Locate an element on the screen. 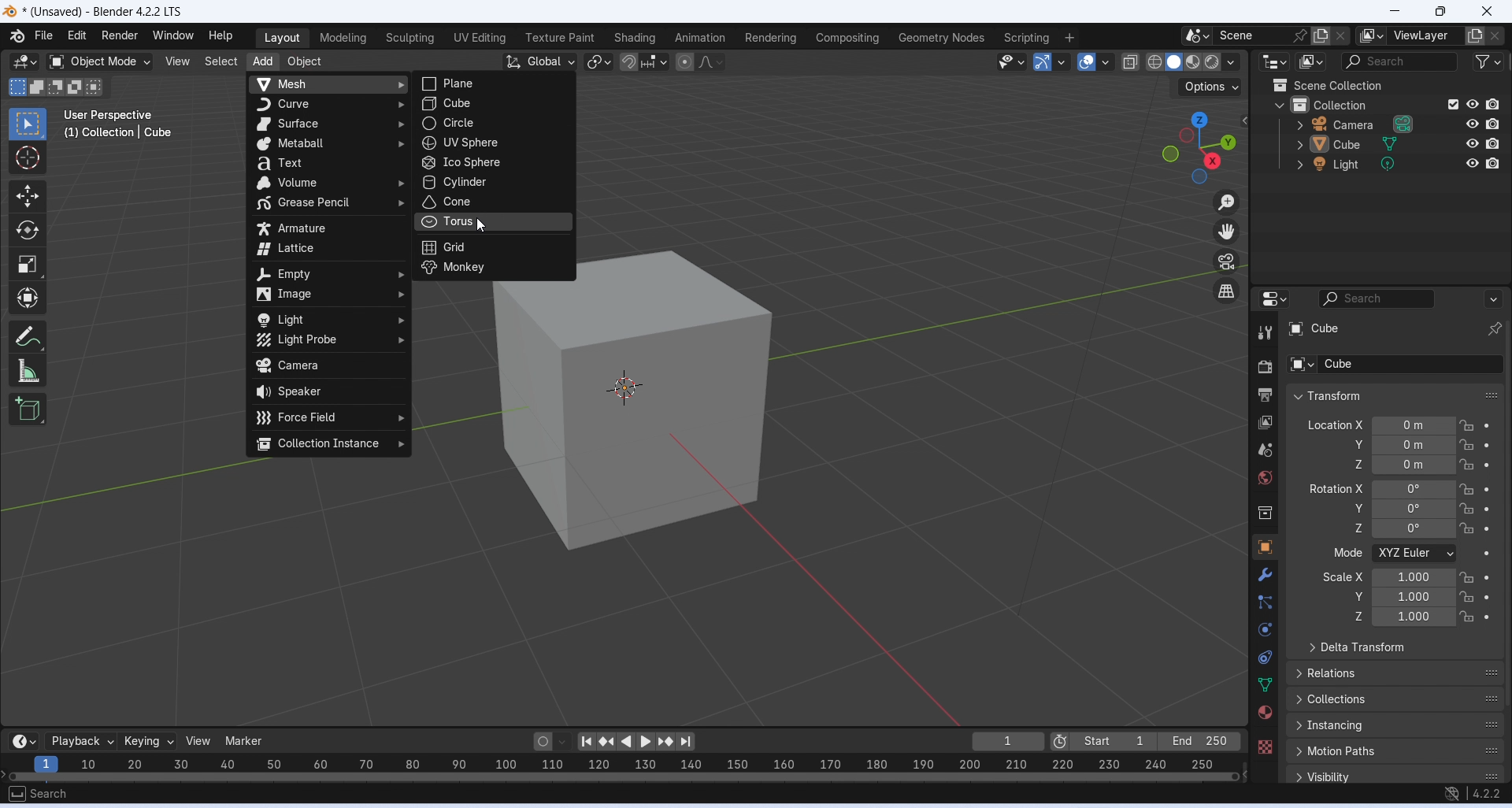 The height and width of the screenshot is (808, 1512). 4.2.2 is located at coordinates (1487, 794).